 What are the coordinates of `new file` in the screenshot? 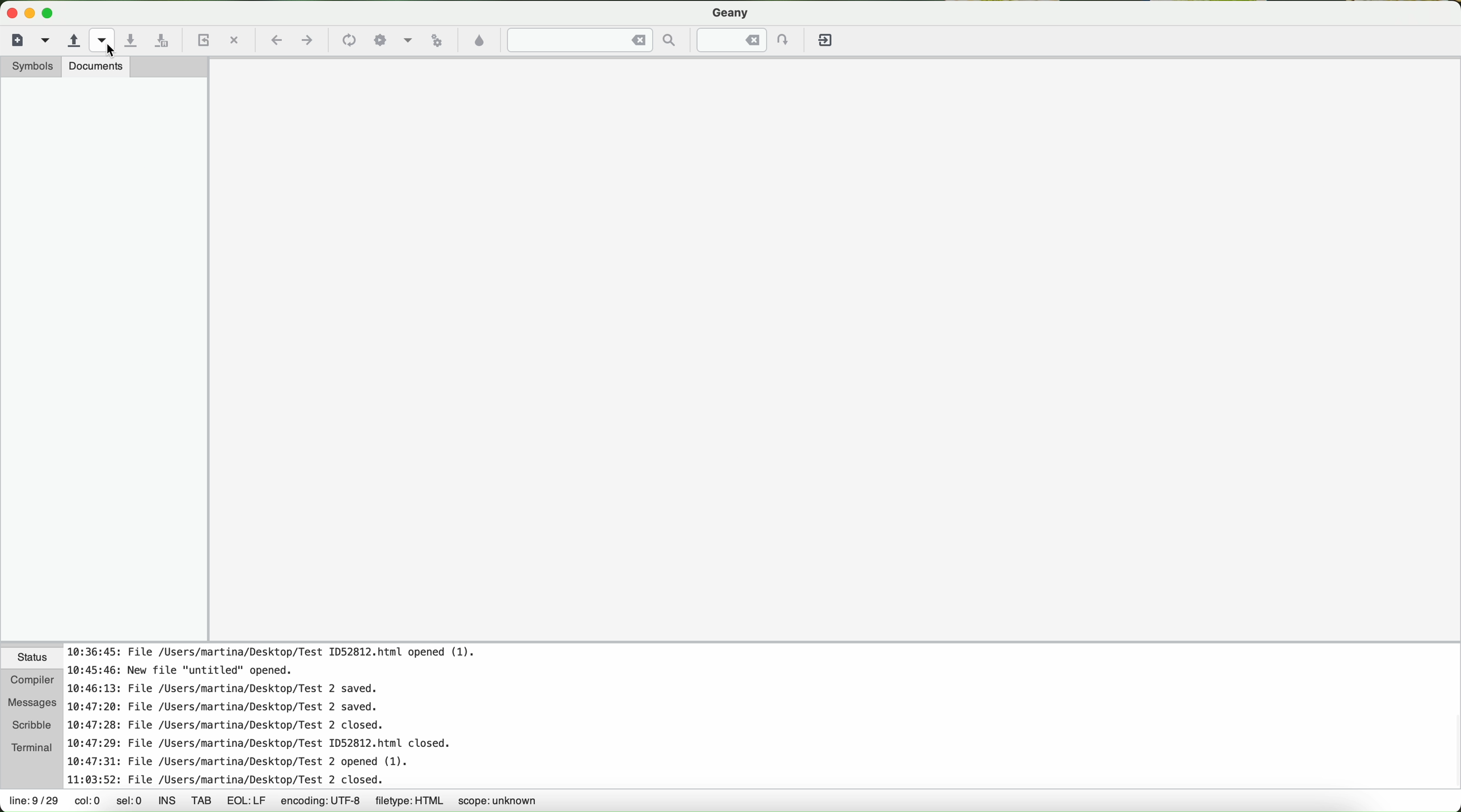 It's located at (24, 40).